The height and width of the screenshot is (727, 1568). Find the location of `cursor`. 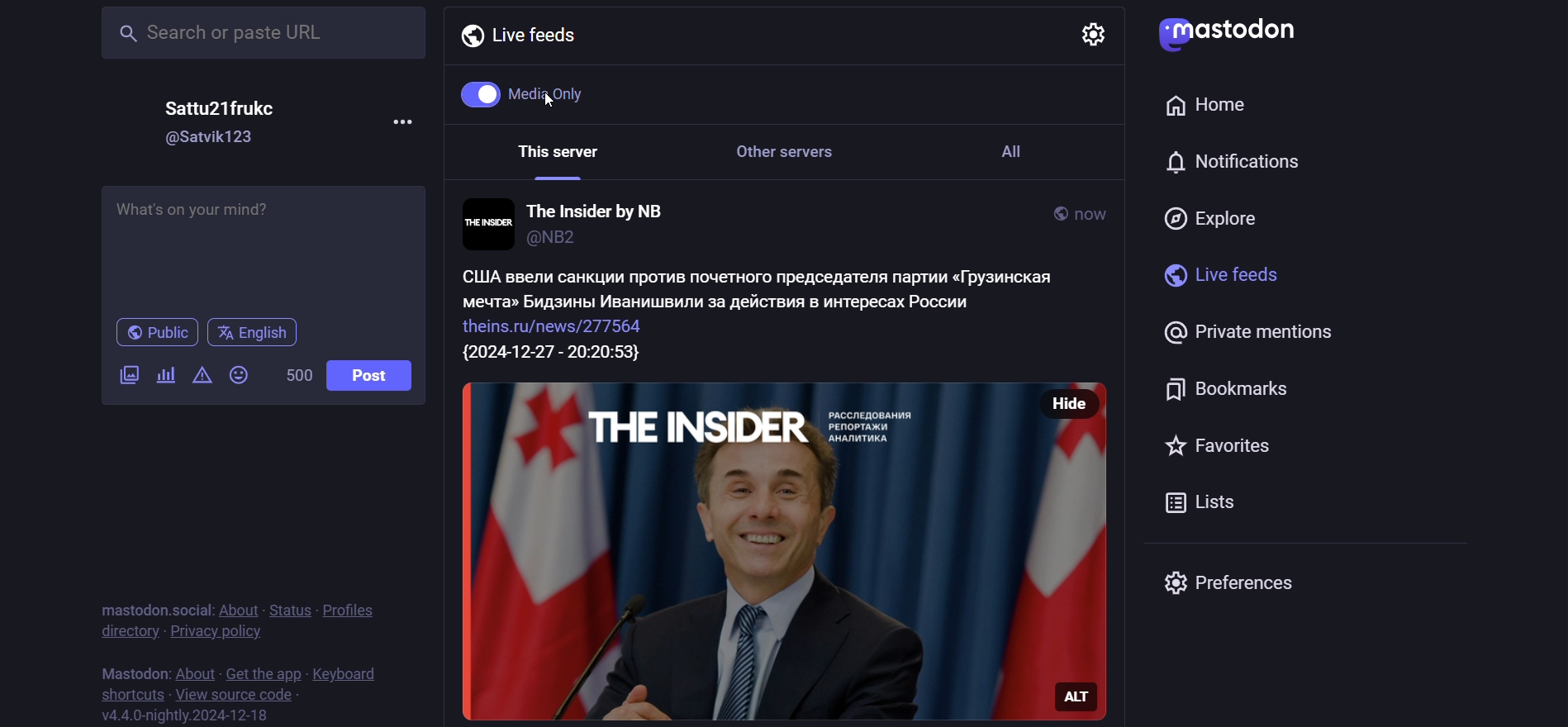

cursor is located at coordinates (554, 102).